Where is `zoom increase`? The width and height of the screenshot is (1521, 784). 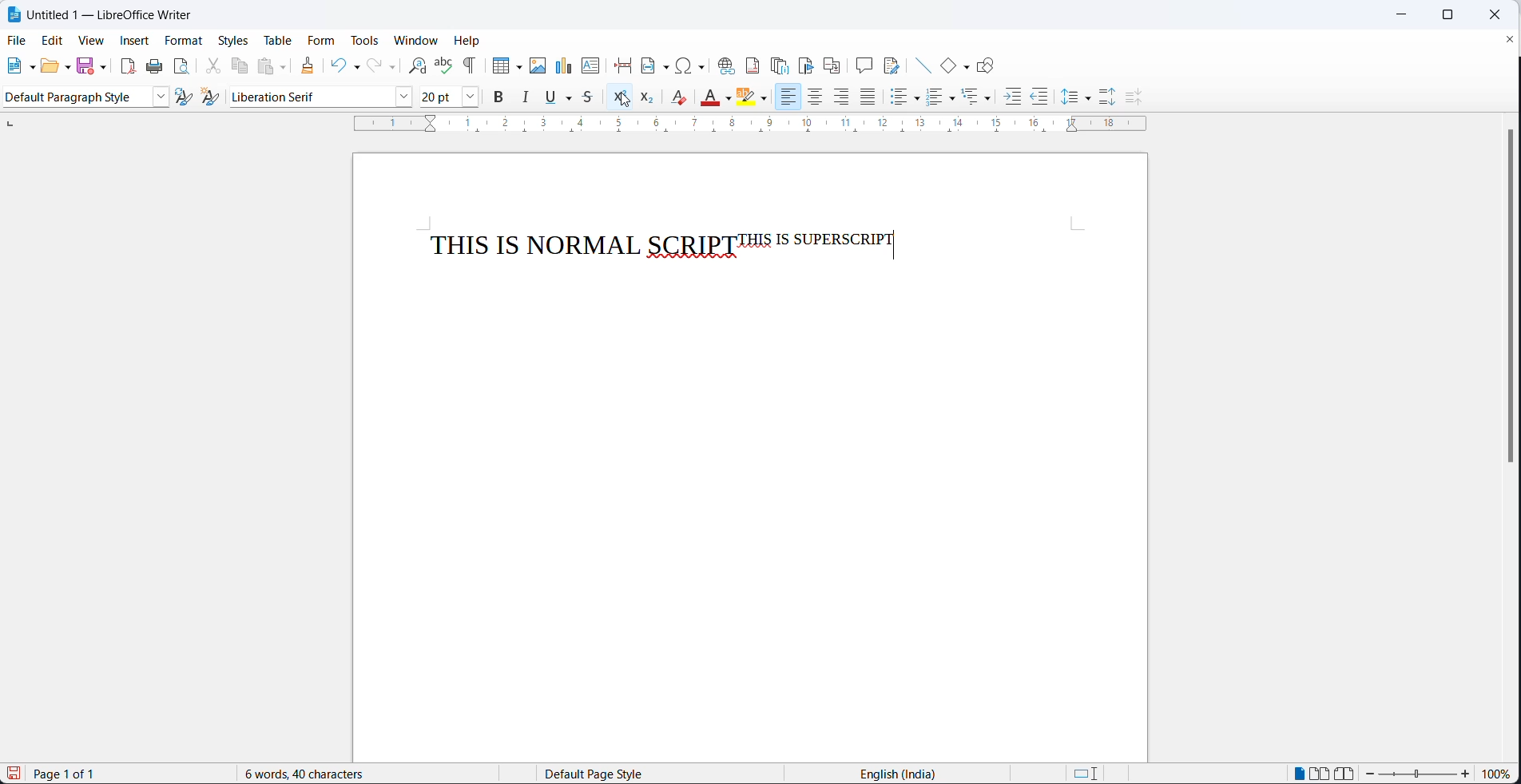 zoom increase is located at coordinates (1372, 774).